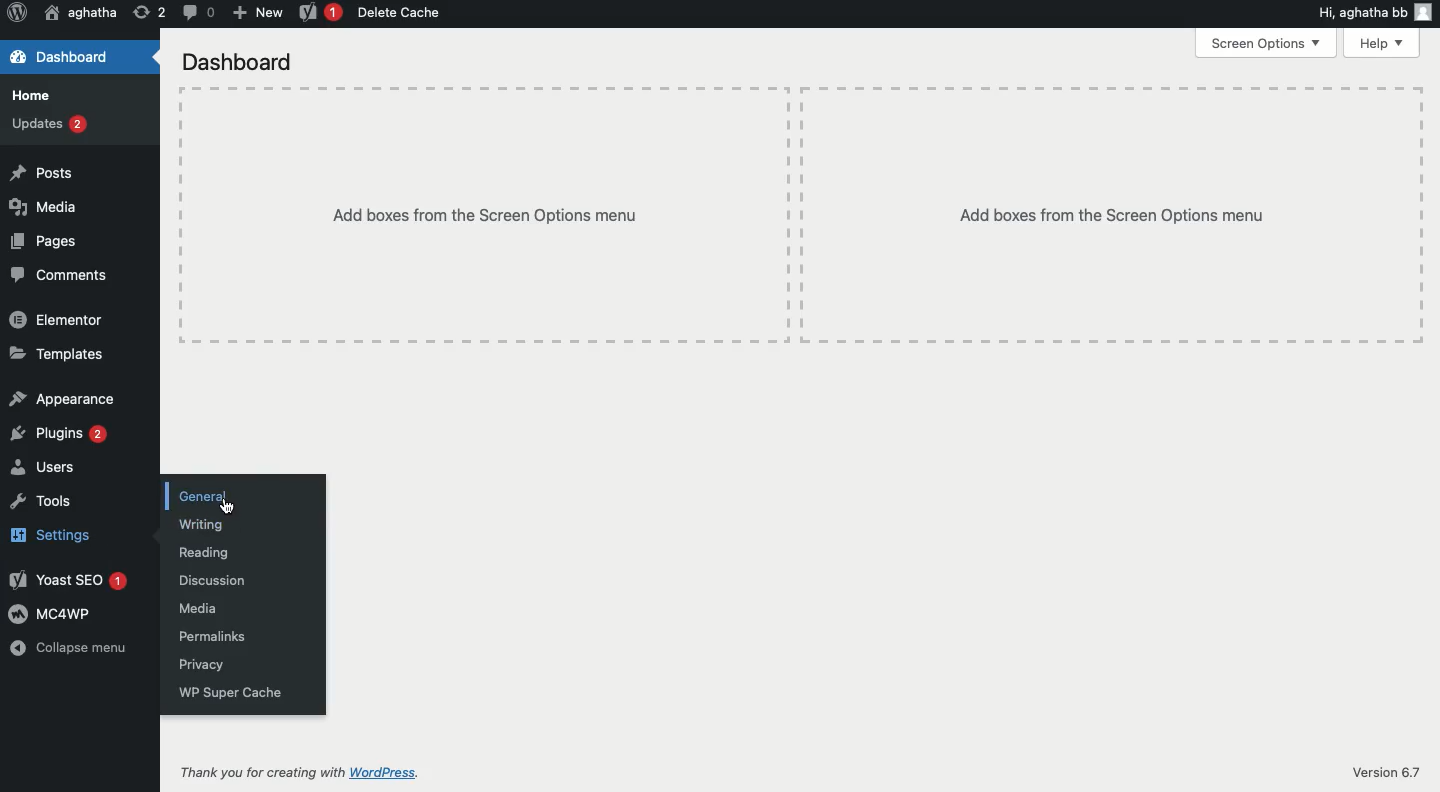 Image resolution: width=1440 pixels, height=792 pixels. What do you see at coordinates (38, 173) in the screenshot?
I see `Posts` at bounding box center [38, 173].